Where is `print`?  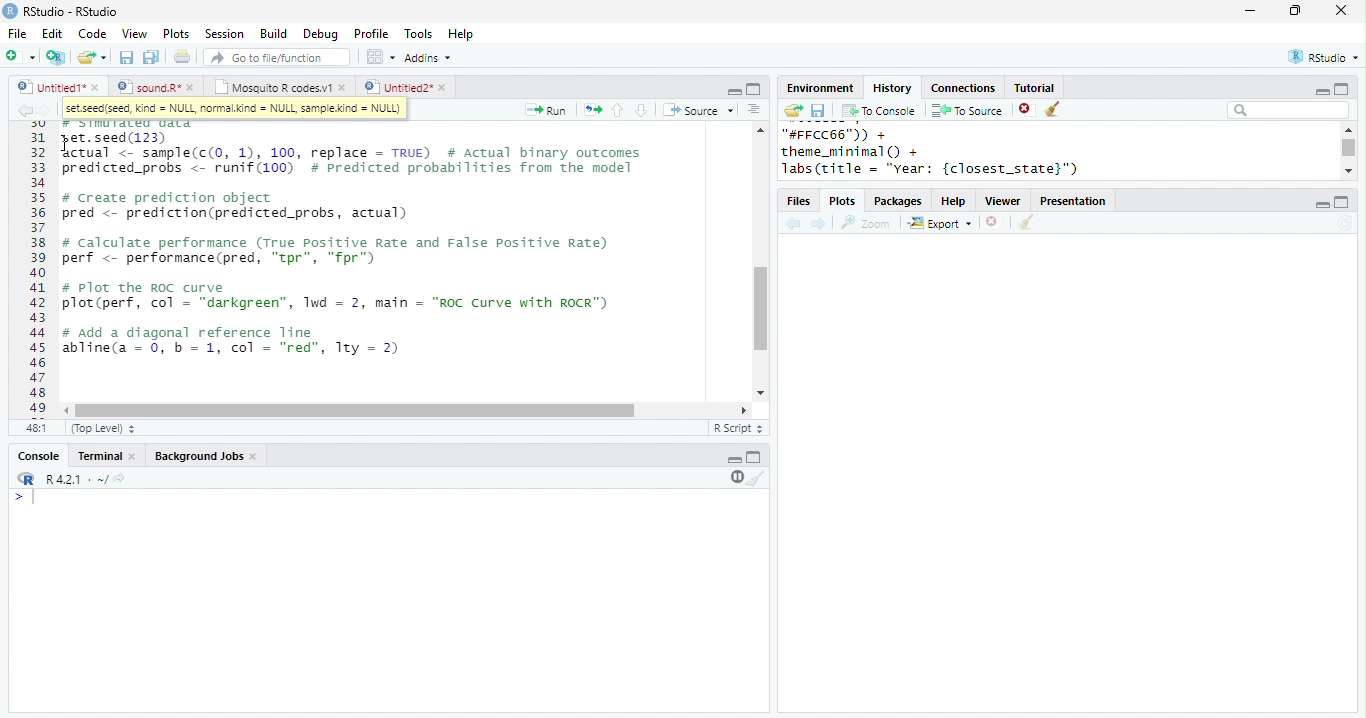 print is located at coordinates (183, 56).